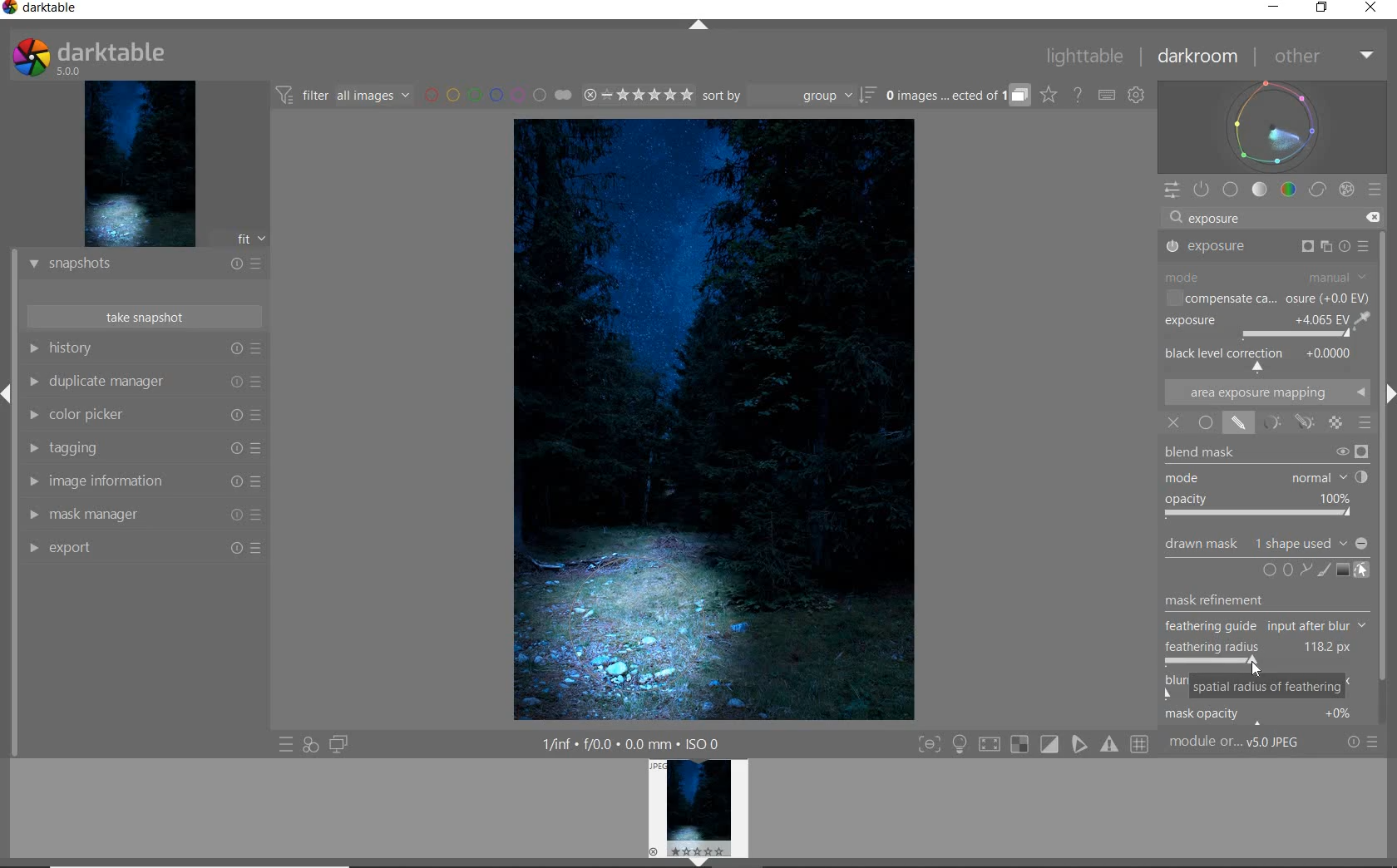 Image resolution: width=1397 pixels, height=868 pixels. What do you see at coordinates (141, 348) in the screenshot?
I see `HISTORY` at bounding box center [141, 348].